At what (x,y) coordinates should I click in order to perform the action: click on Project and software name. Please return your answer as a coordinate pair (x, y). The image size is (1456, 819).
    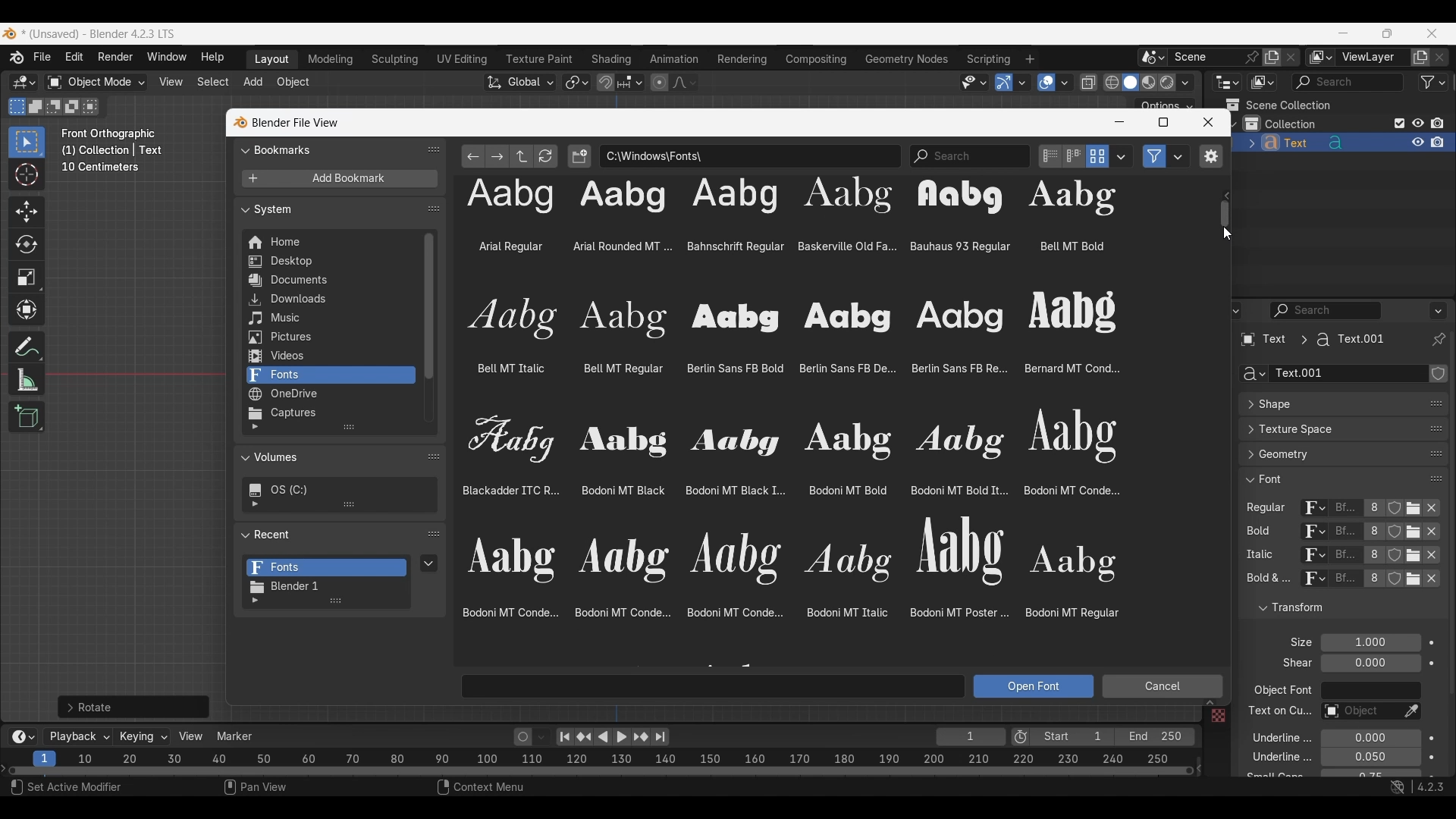
    Looking at the image, I should click on (99, 34).